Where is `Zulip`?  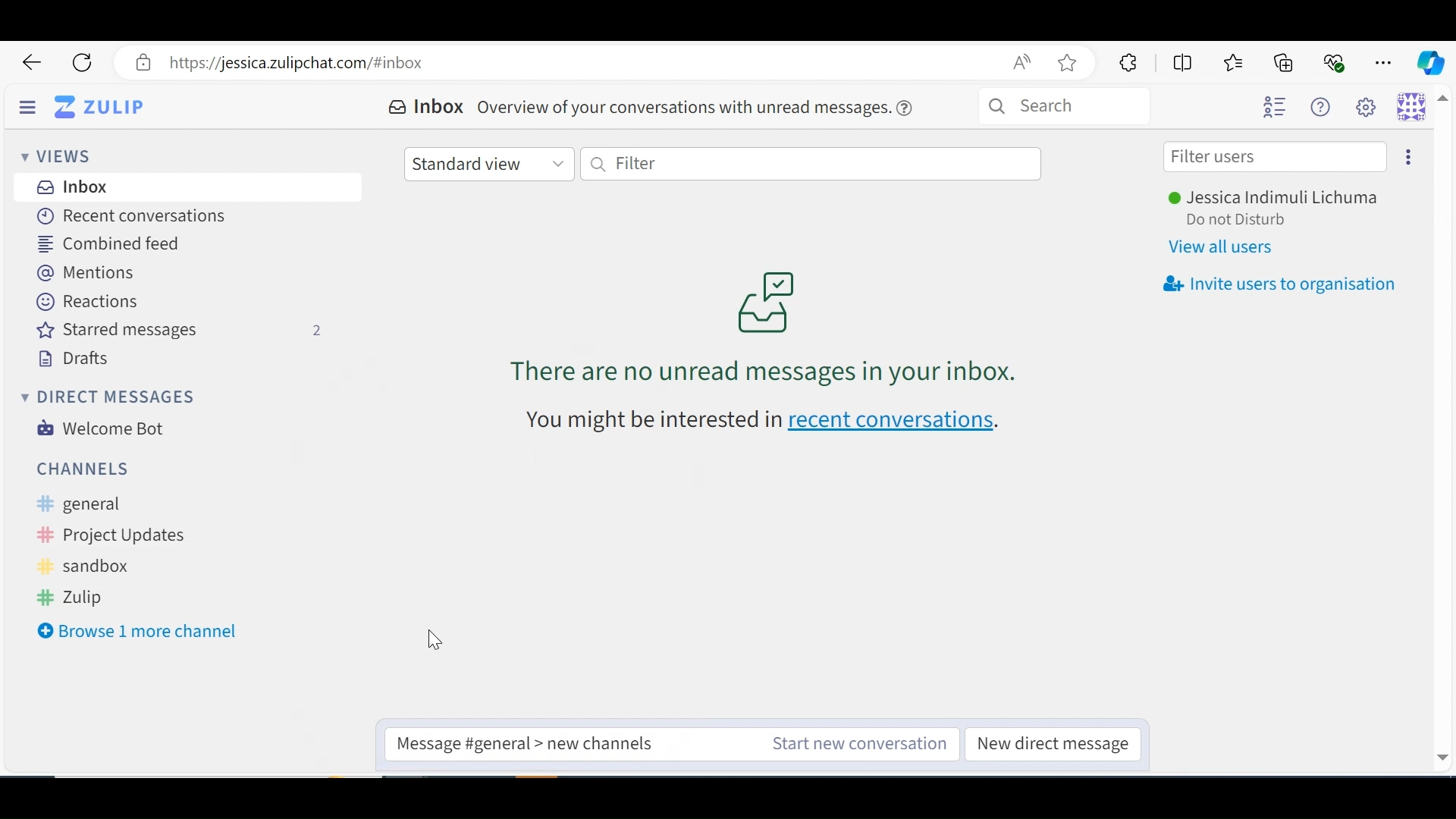
Zulip is located at coordinates (110, 595).